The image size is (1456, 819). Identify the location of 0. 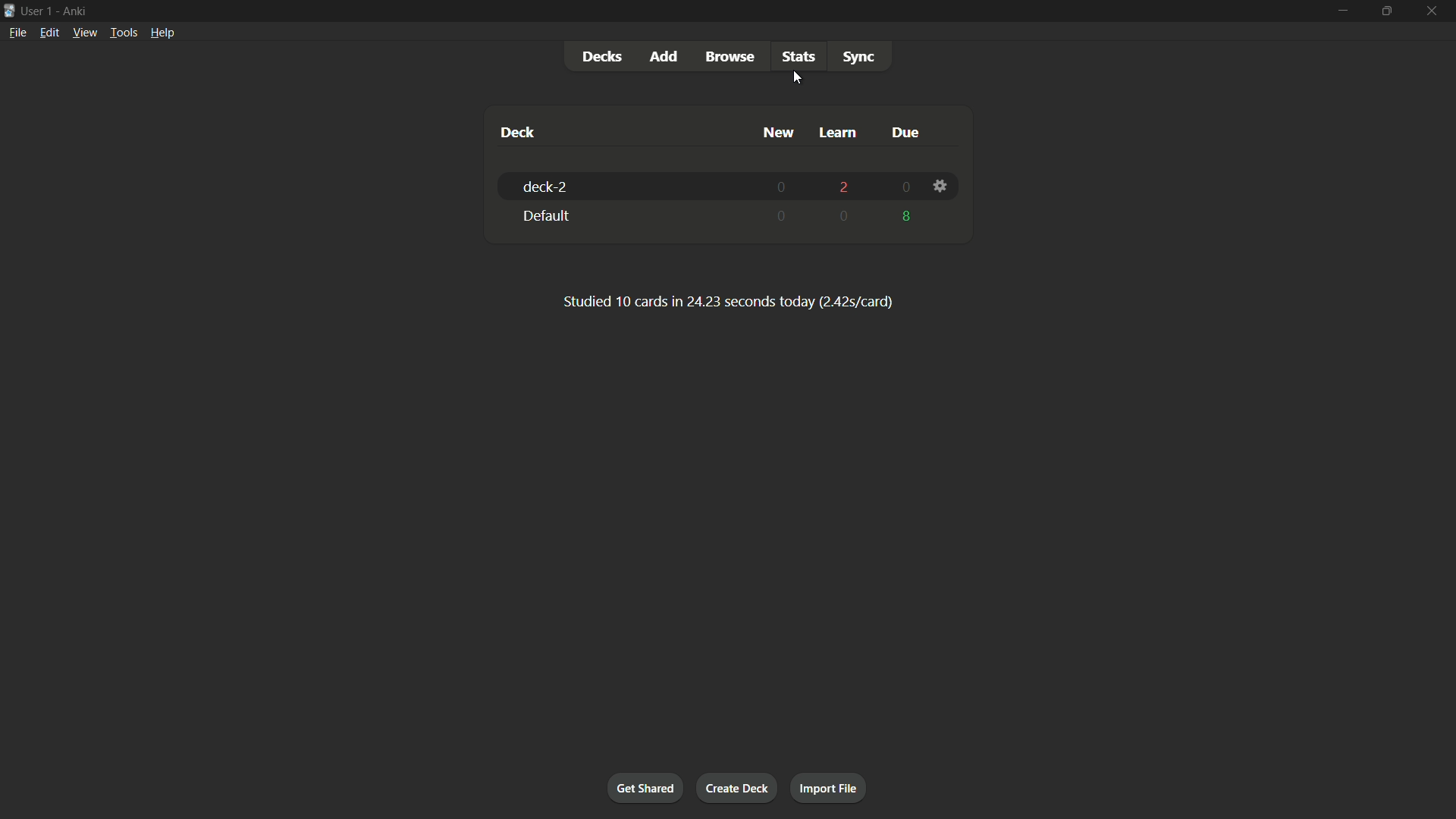
(846, 219).